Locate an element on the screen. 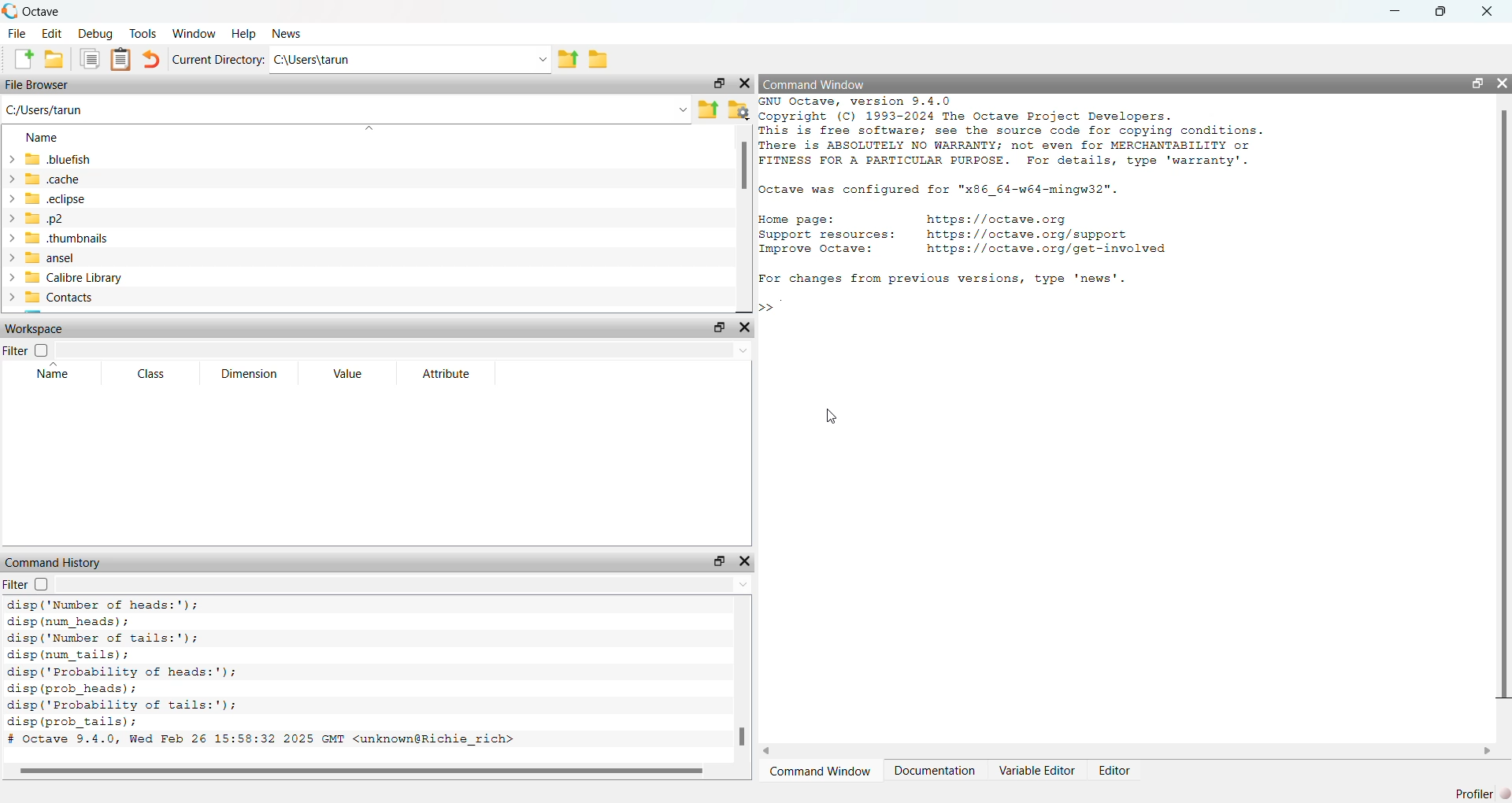 This screenshot has width=1512, height=803. .cache is located at coordinates (53, 179).